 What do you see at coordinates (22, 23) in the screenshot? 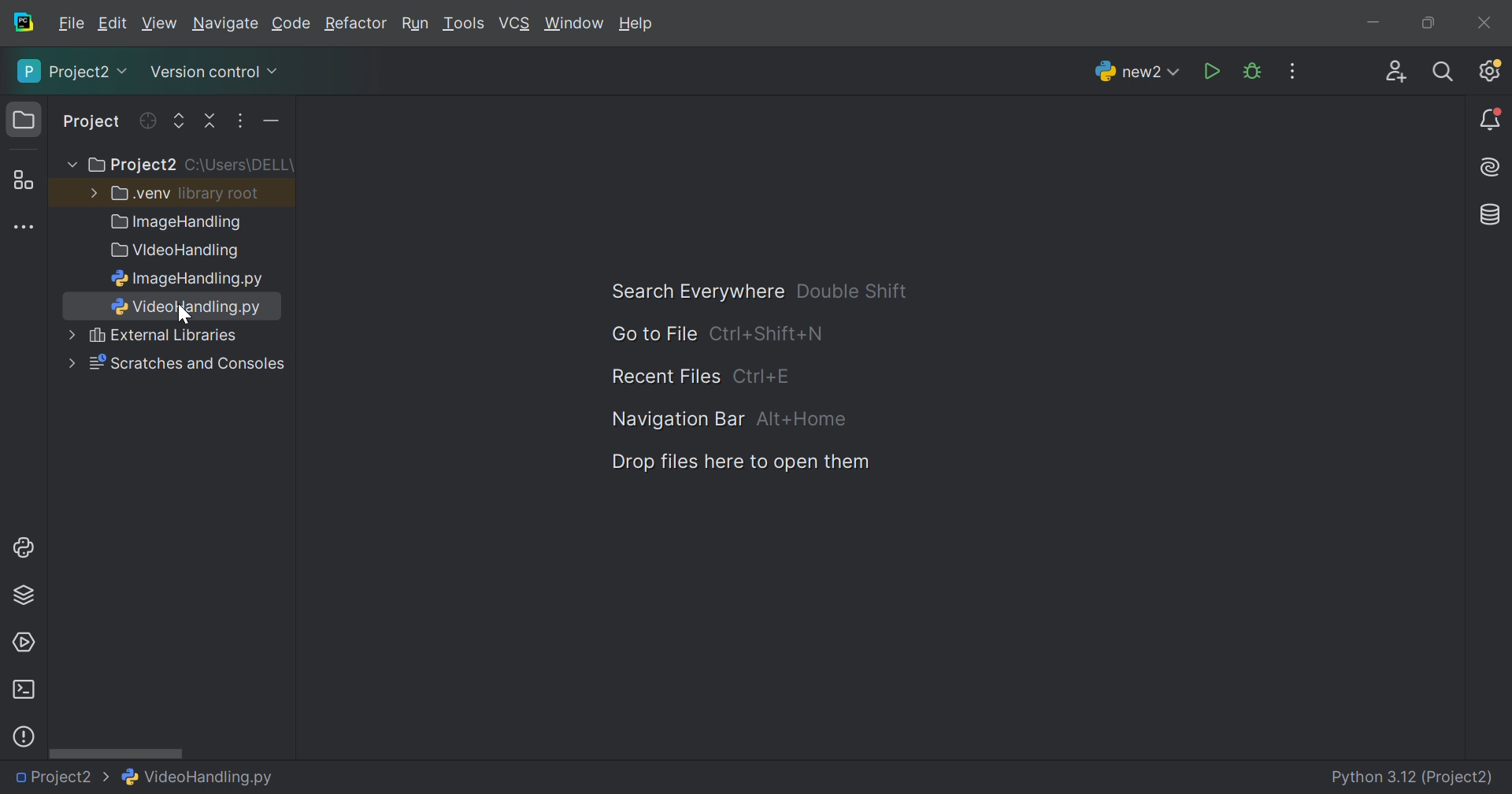
I see `PyCharm icon` at bounding box center [22, 23].